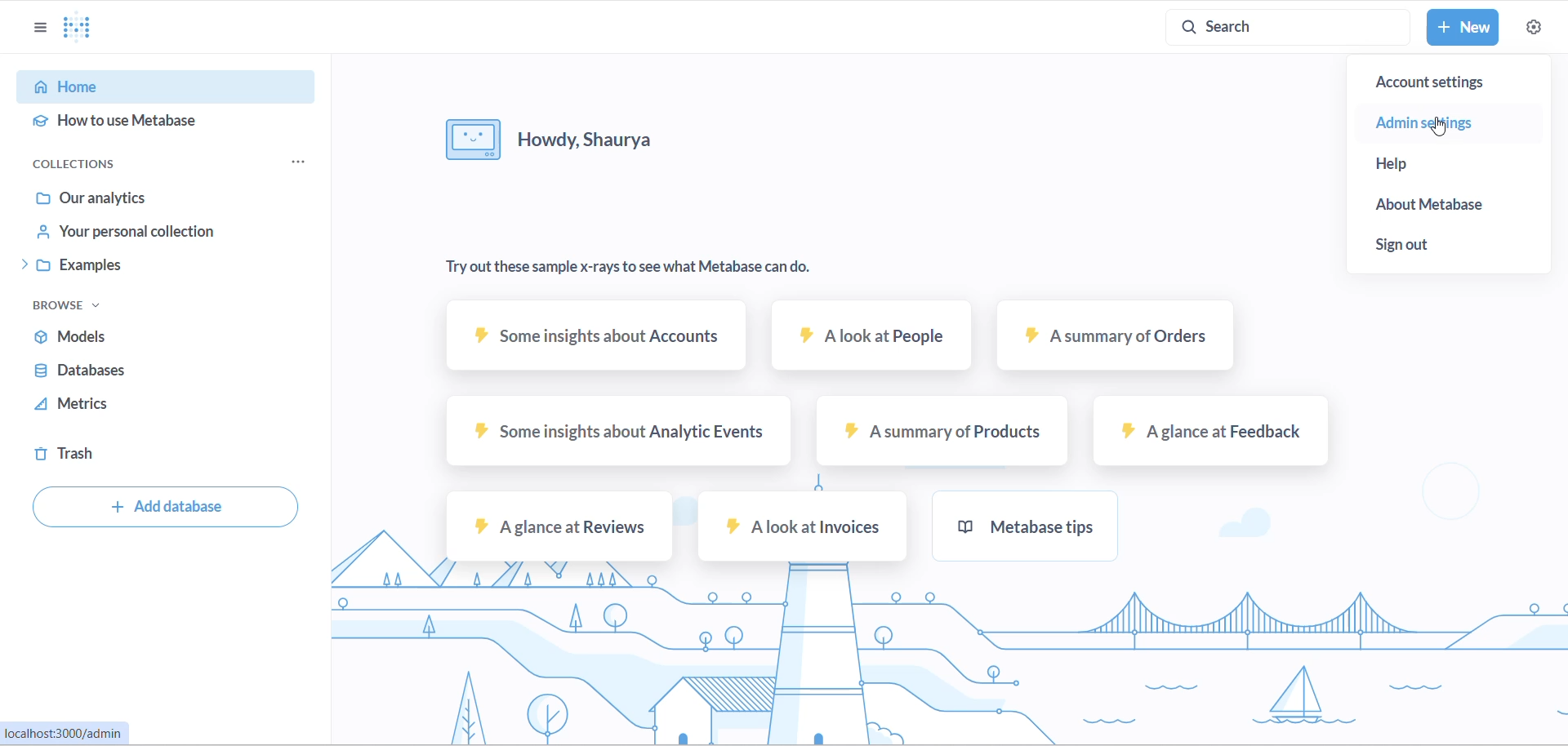 This screenshot has width=1568, height=746. Describe the element at coordinates (166, 508) in the screenshot. I see `ADD DATABASE` at that location.